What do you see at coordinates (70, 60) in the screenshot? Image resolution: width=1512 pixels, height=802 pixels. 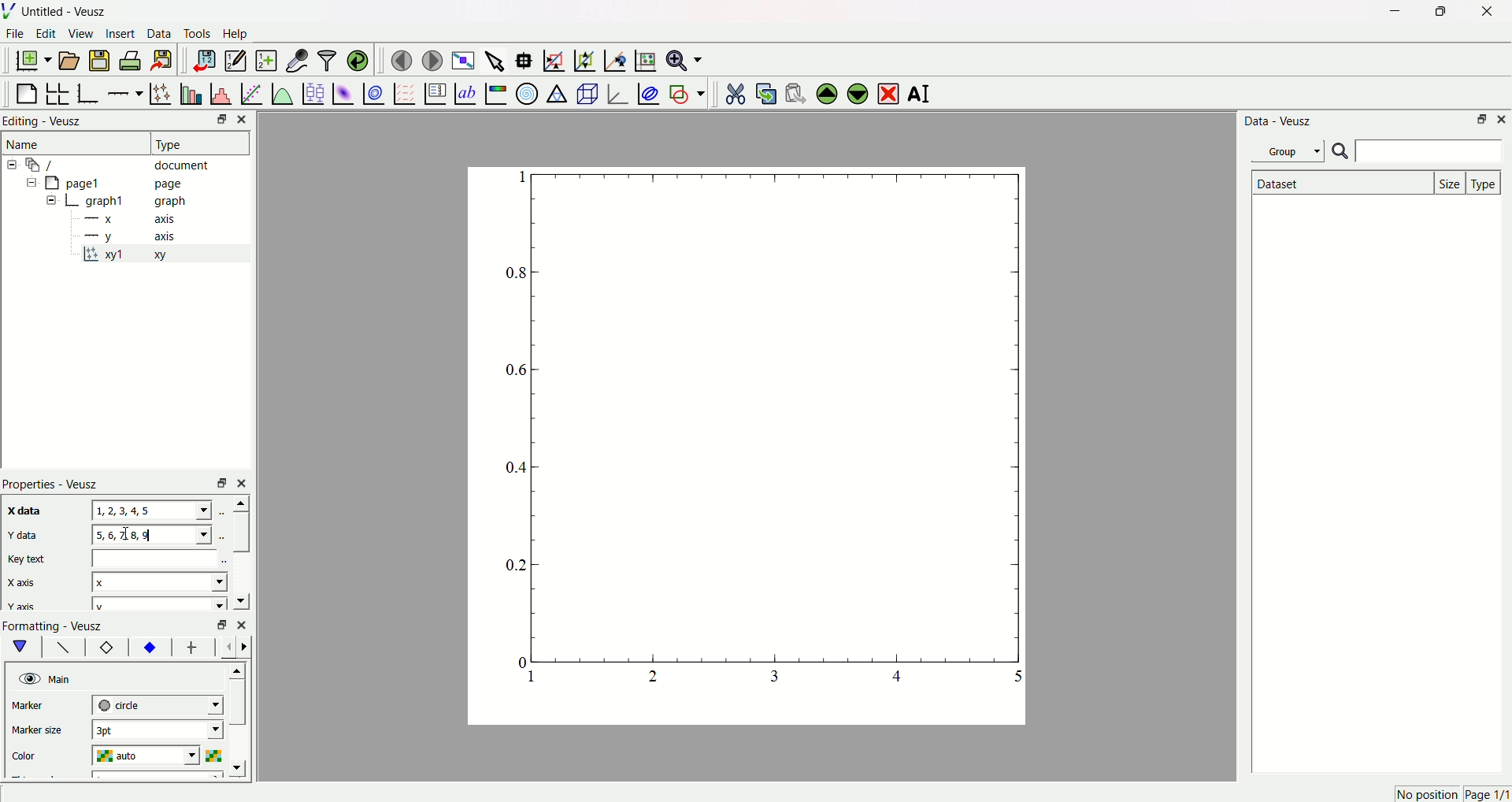 I see `open document` at bounding box center [70, 60].